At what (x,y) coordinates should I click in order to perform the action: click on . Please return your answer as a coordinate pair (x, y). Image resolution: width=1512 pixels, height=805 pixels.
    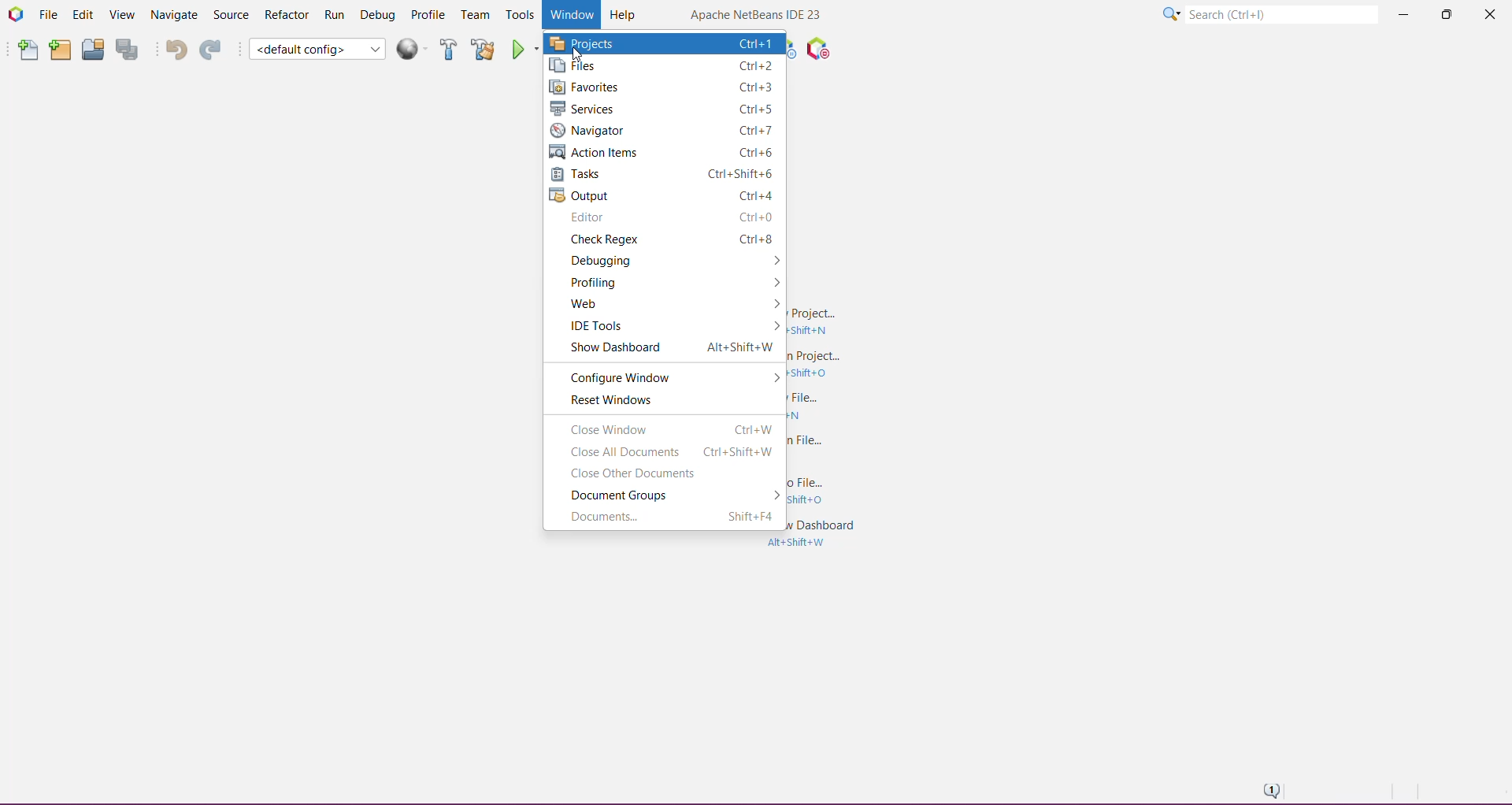
    Looking at the image, I should click on (414, 49).